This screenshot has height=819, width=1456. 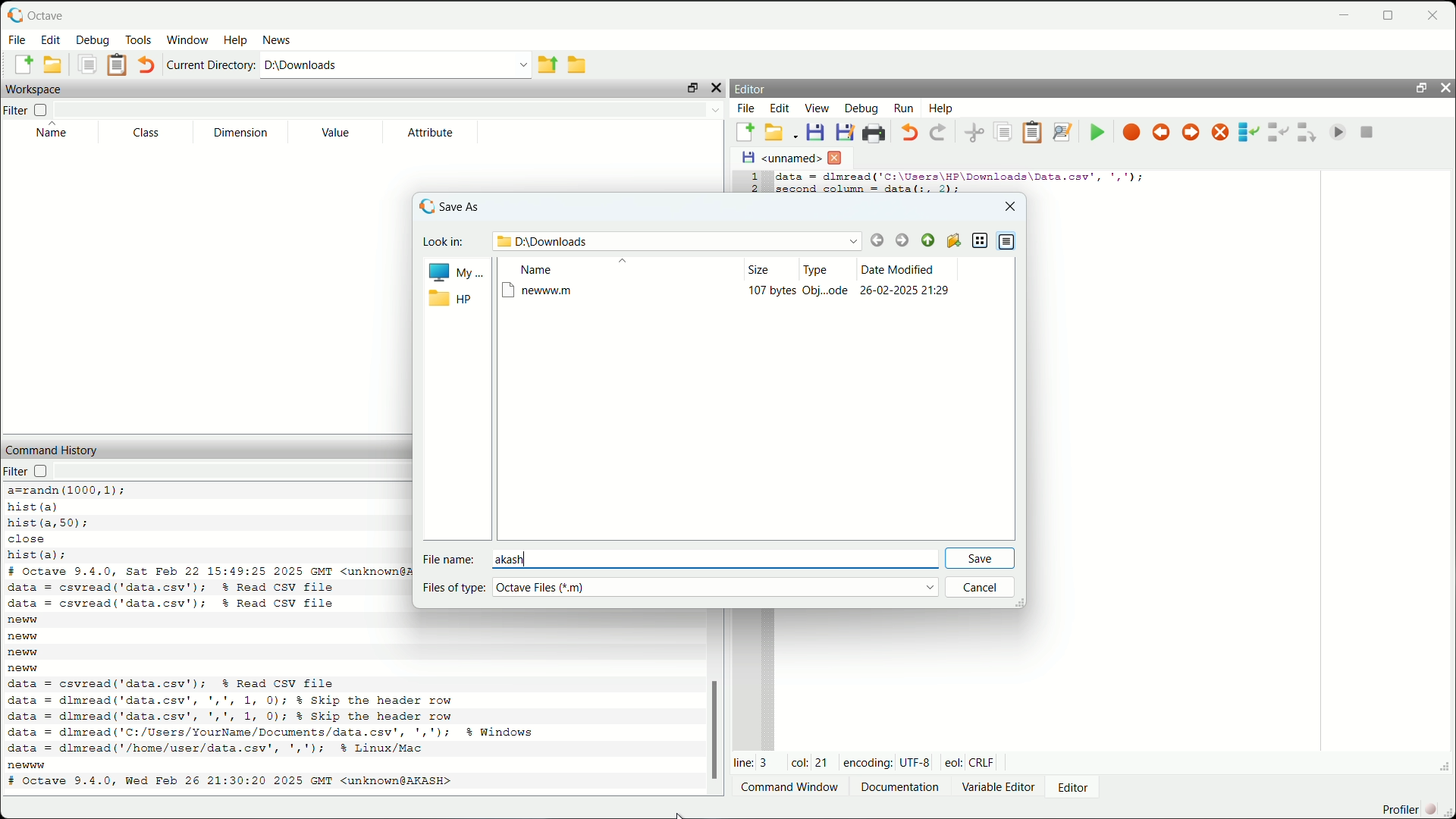 What do you see at coordinates (984, 589) in the screenshot?
I see `cancel` at bounding box center [984, 589].